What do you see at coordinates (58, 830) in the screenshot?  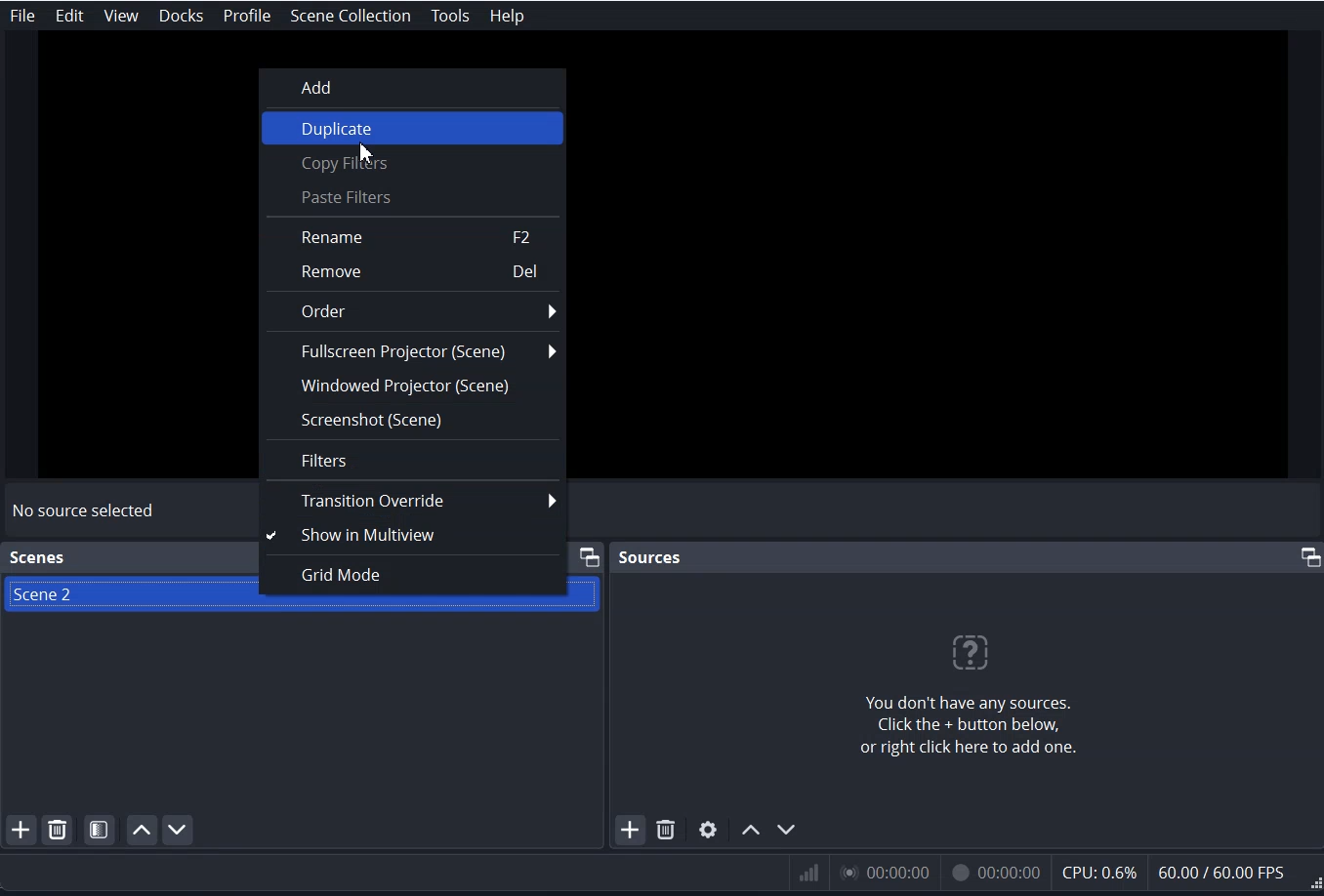 I see `Remove selected Scene` at bounding box center [58, 830].